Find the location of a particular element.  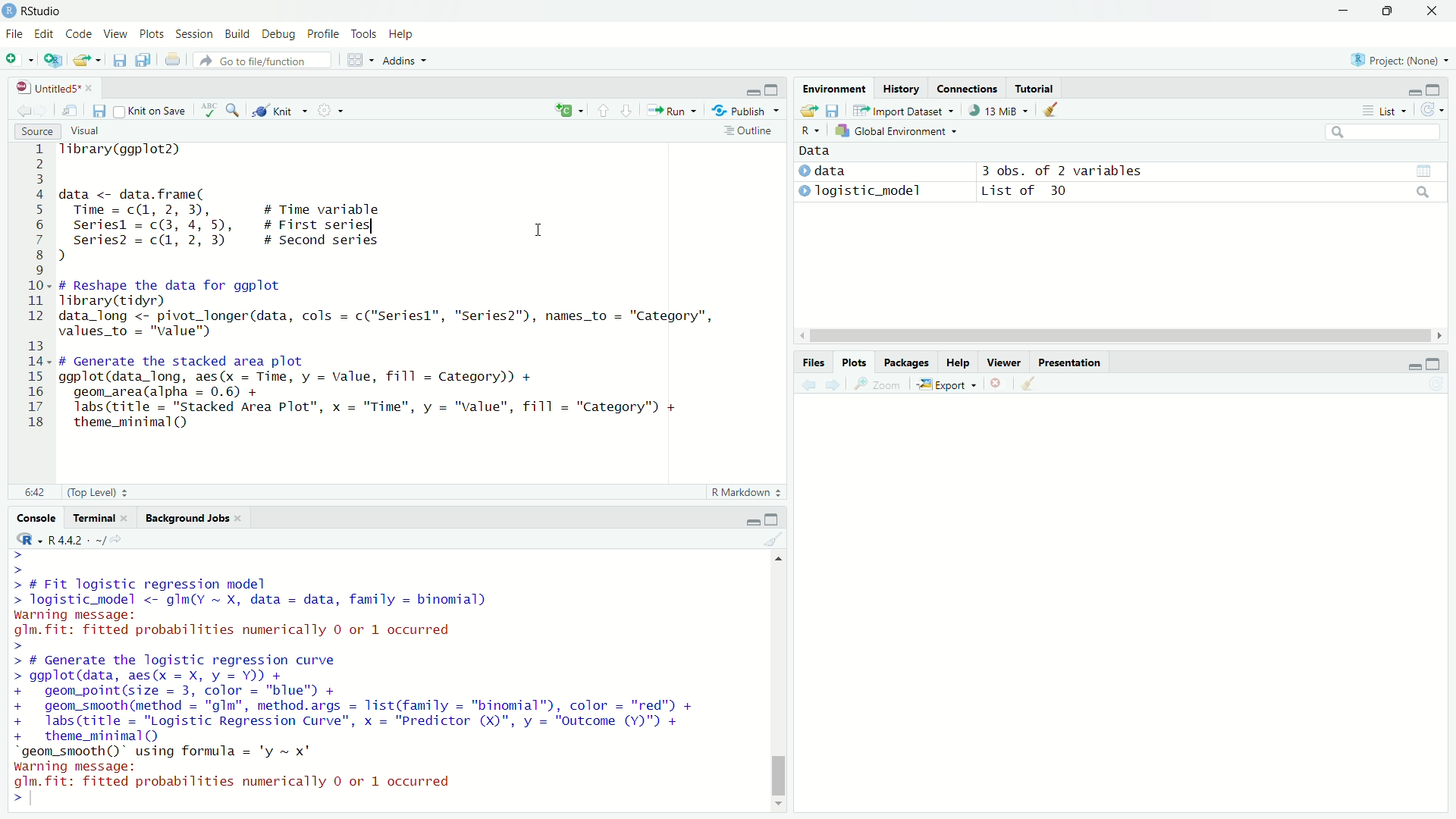

save is located at coordinates (97, 111).